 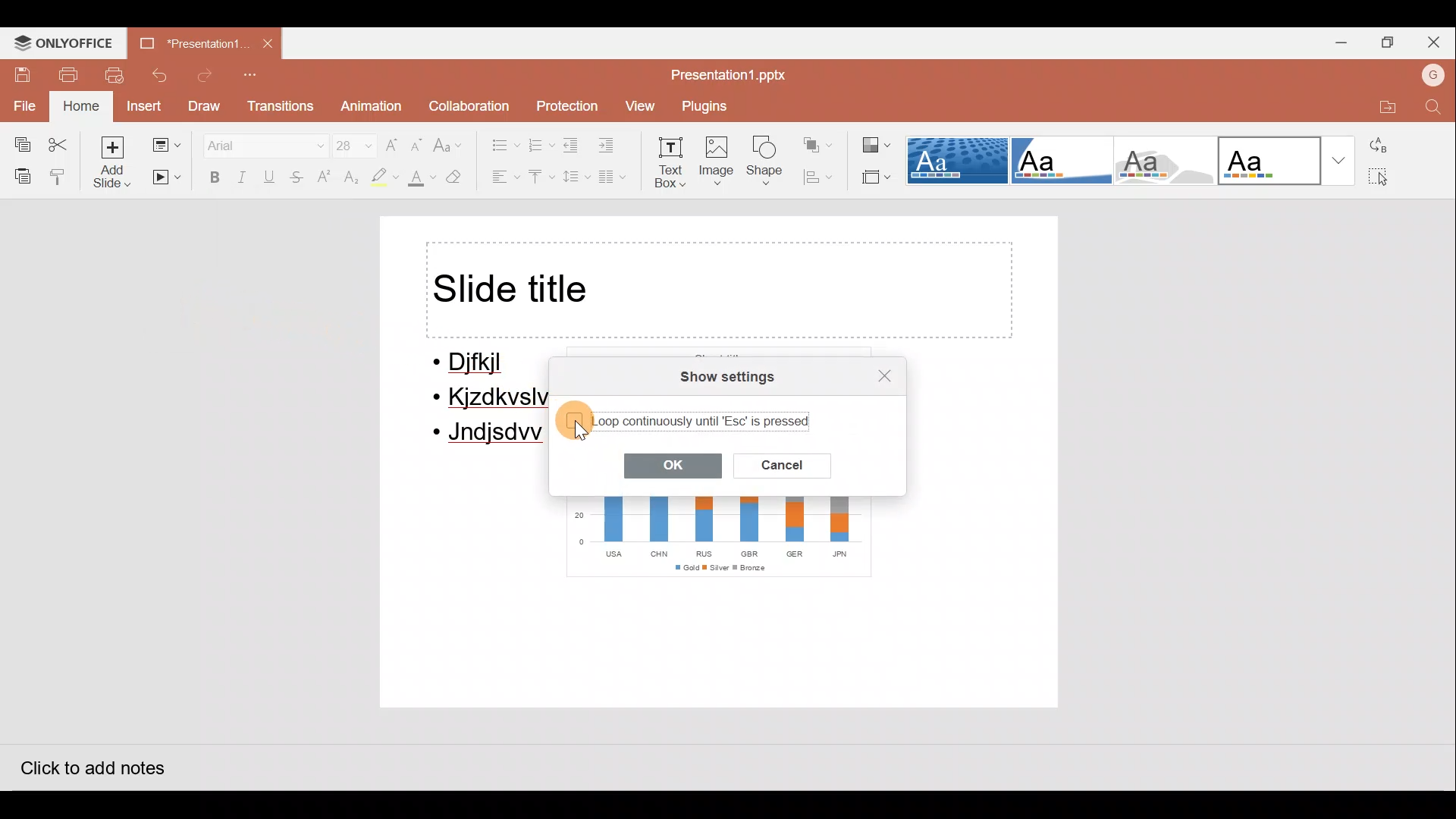 What do you see at coordinates (1288, 161) in the screenshot?
I see `Office theme` at bounding box center [1288, 161].